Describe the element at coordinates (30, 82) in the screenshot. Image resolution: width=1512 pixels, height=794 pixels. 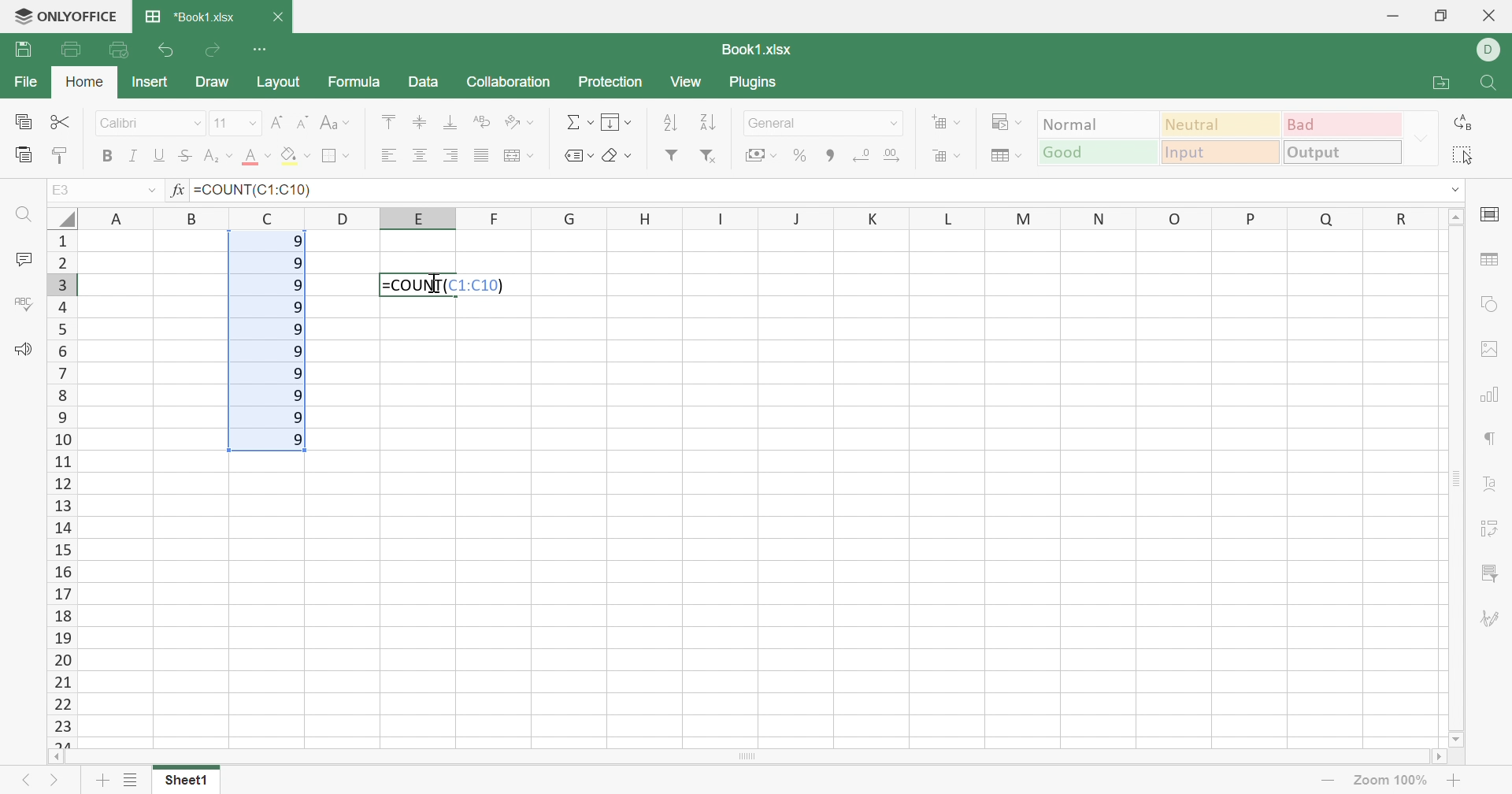
I see `File` at that location.